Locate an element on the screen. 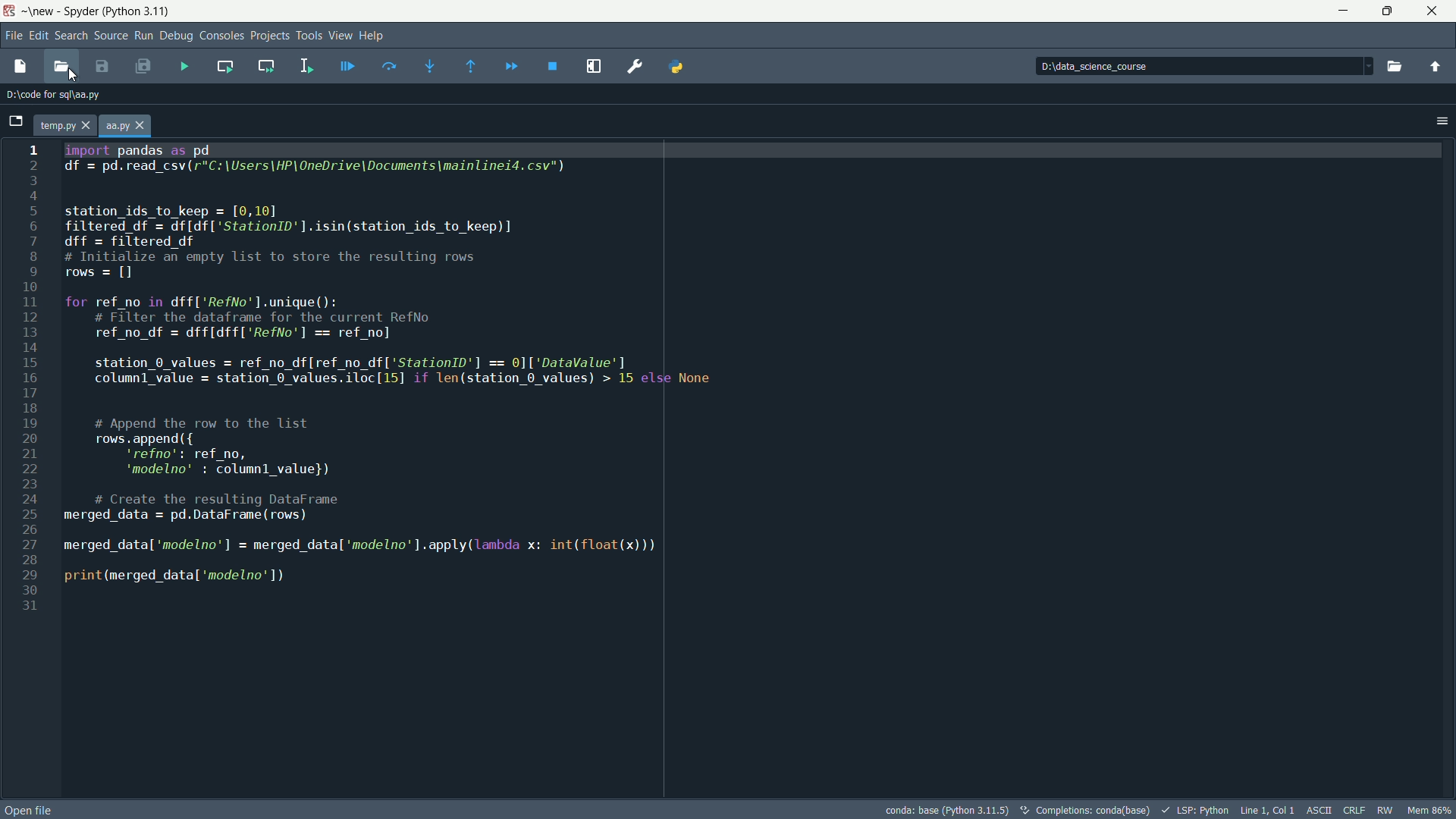 This screenshot has width=1456, height=819. File menu is located at coordinates (14, 34).